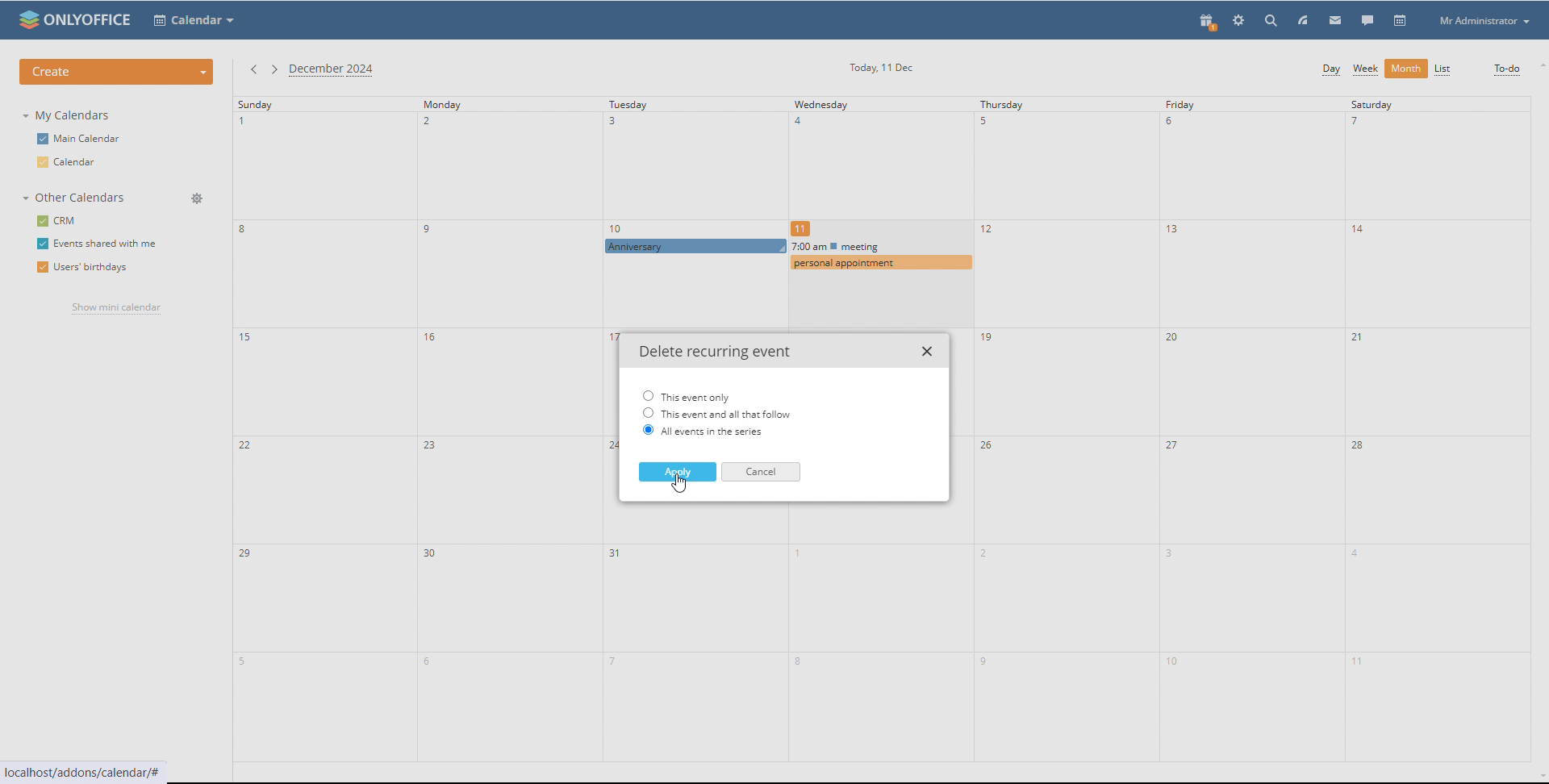 The width and height of the screenshot is (1549, 784). What do you see at coordinates (1252, 428) in the screenshot?
I see `friday` at bounding box center [1252, 428].